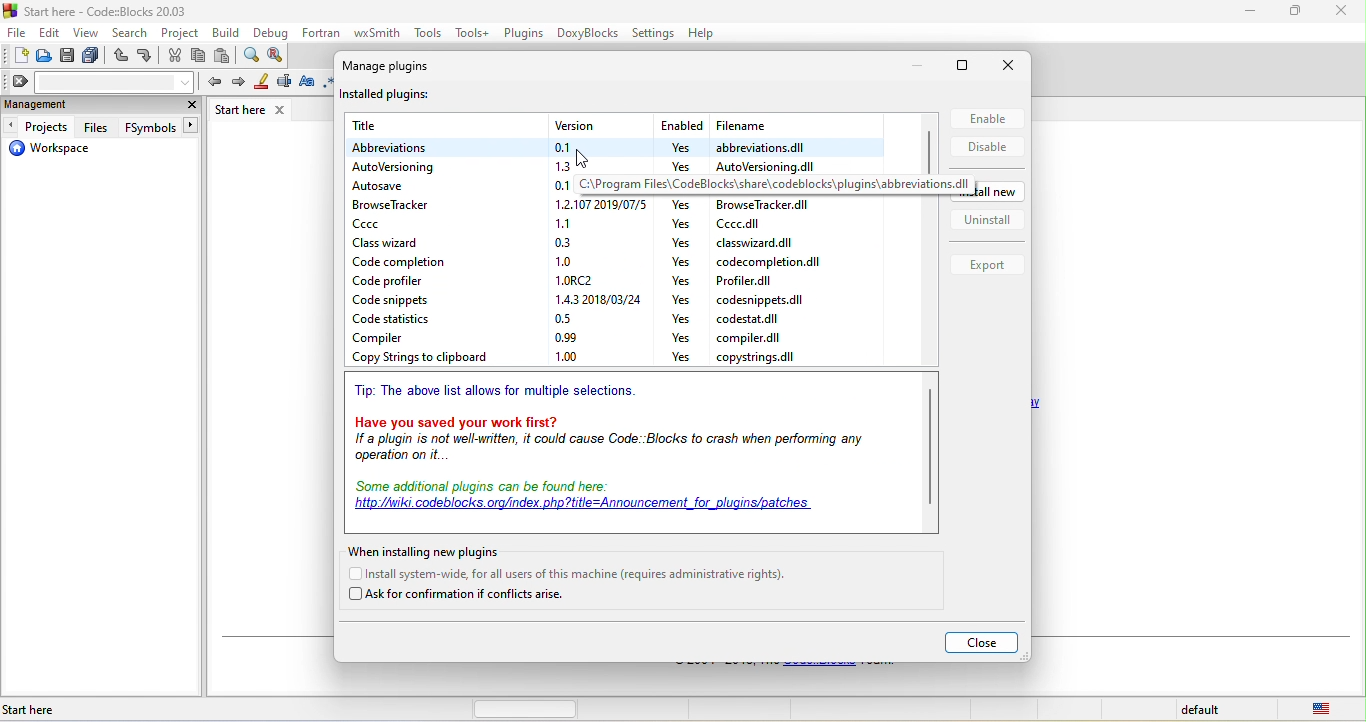  What do you see at coordinates (236, 82) in the screenshot?
I see `next` at bounding box center [236, 82].